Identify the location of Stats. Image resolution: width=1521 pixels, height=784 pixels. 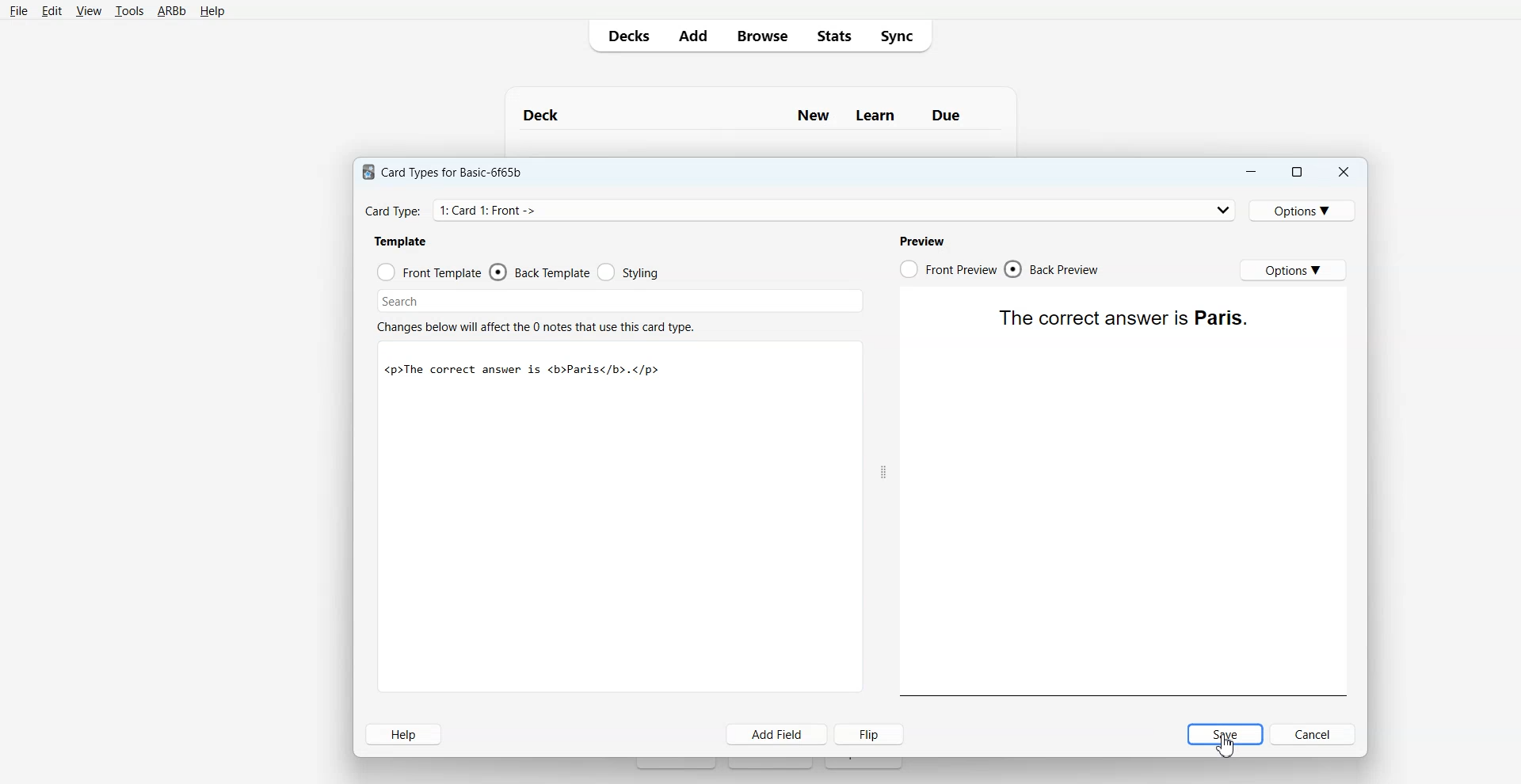
(831, 36).